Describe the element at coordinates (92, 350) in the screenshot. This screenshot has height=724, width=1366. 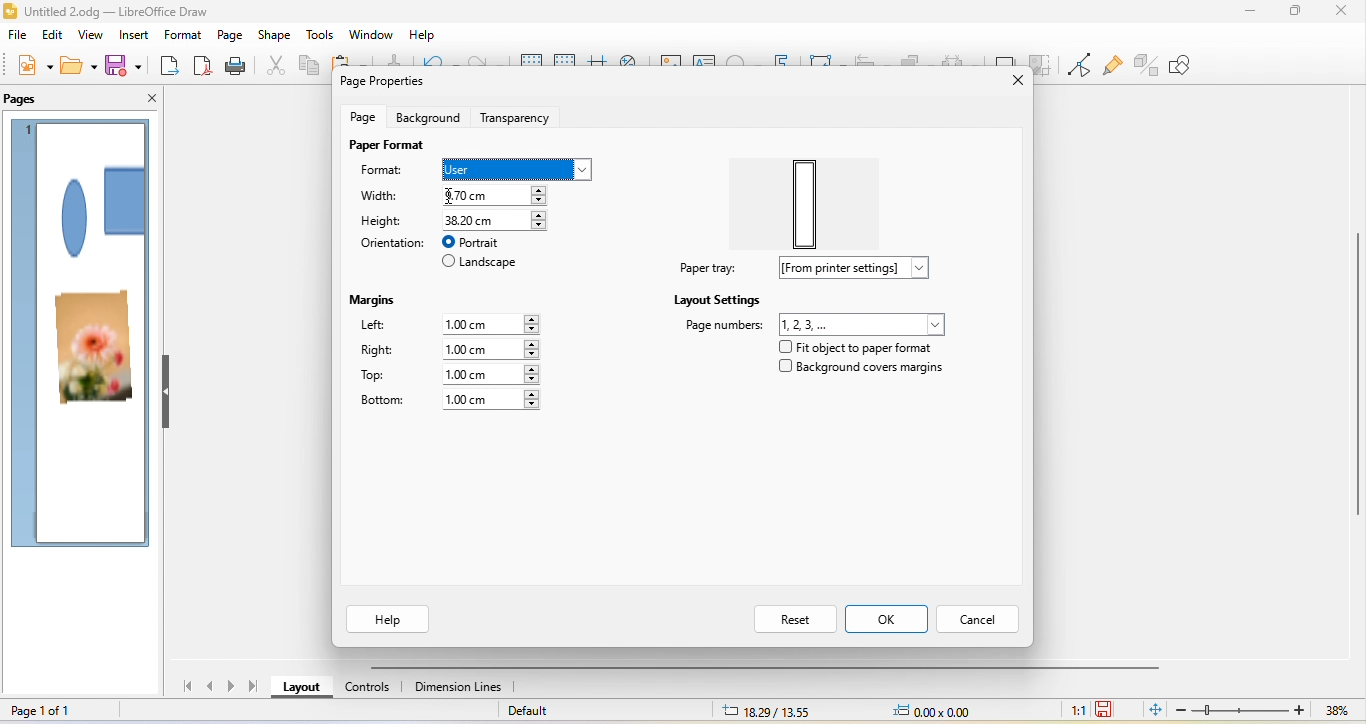
I see `photo` at that location.